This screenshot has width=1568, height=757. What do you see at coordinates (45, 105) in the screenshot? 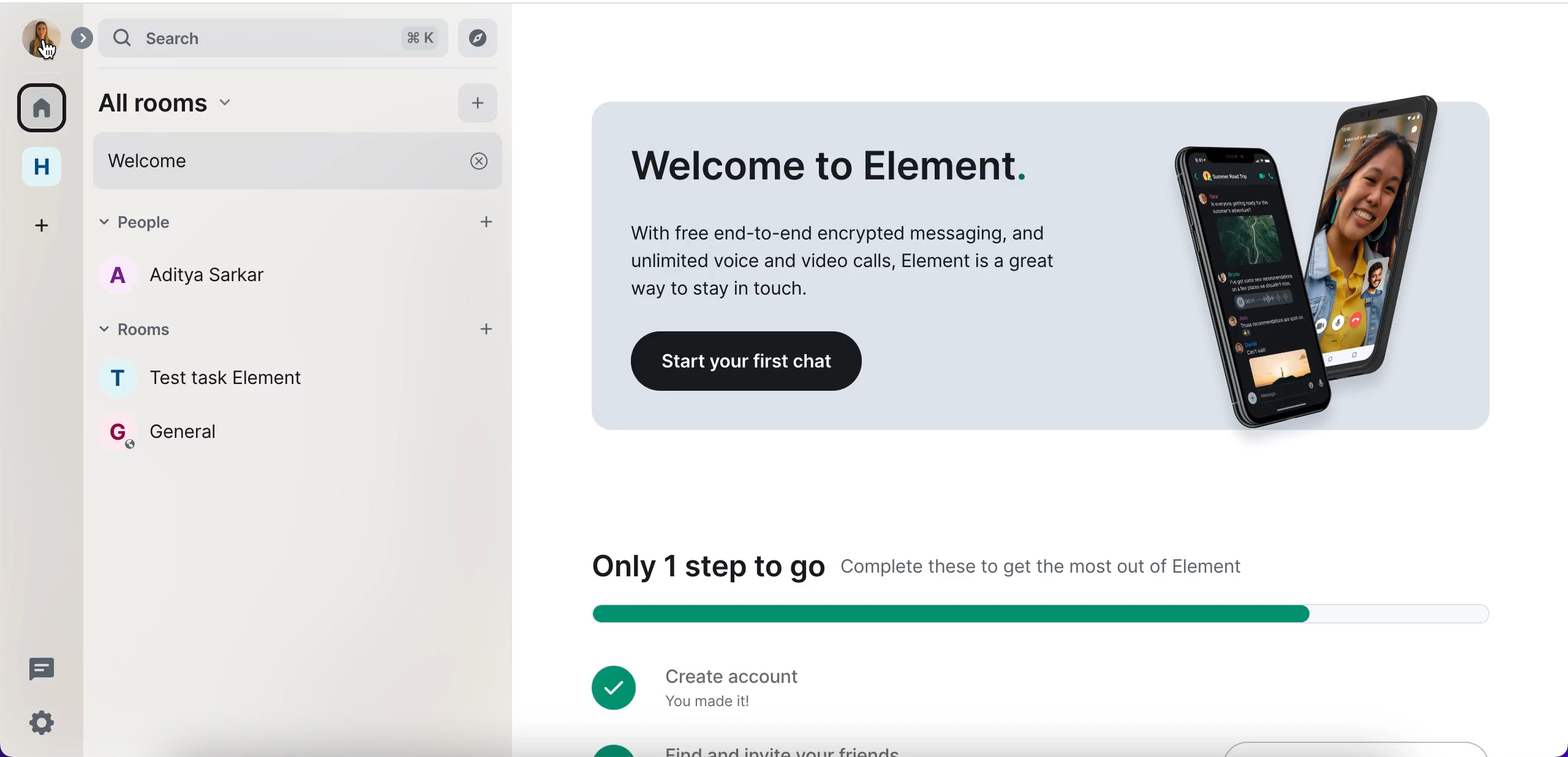
I see `rooms` at bounding box center [45, 105].